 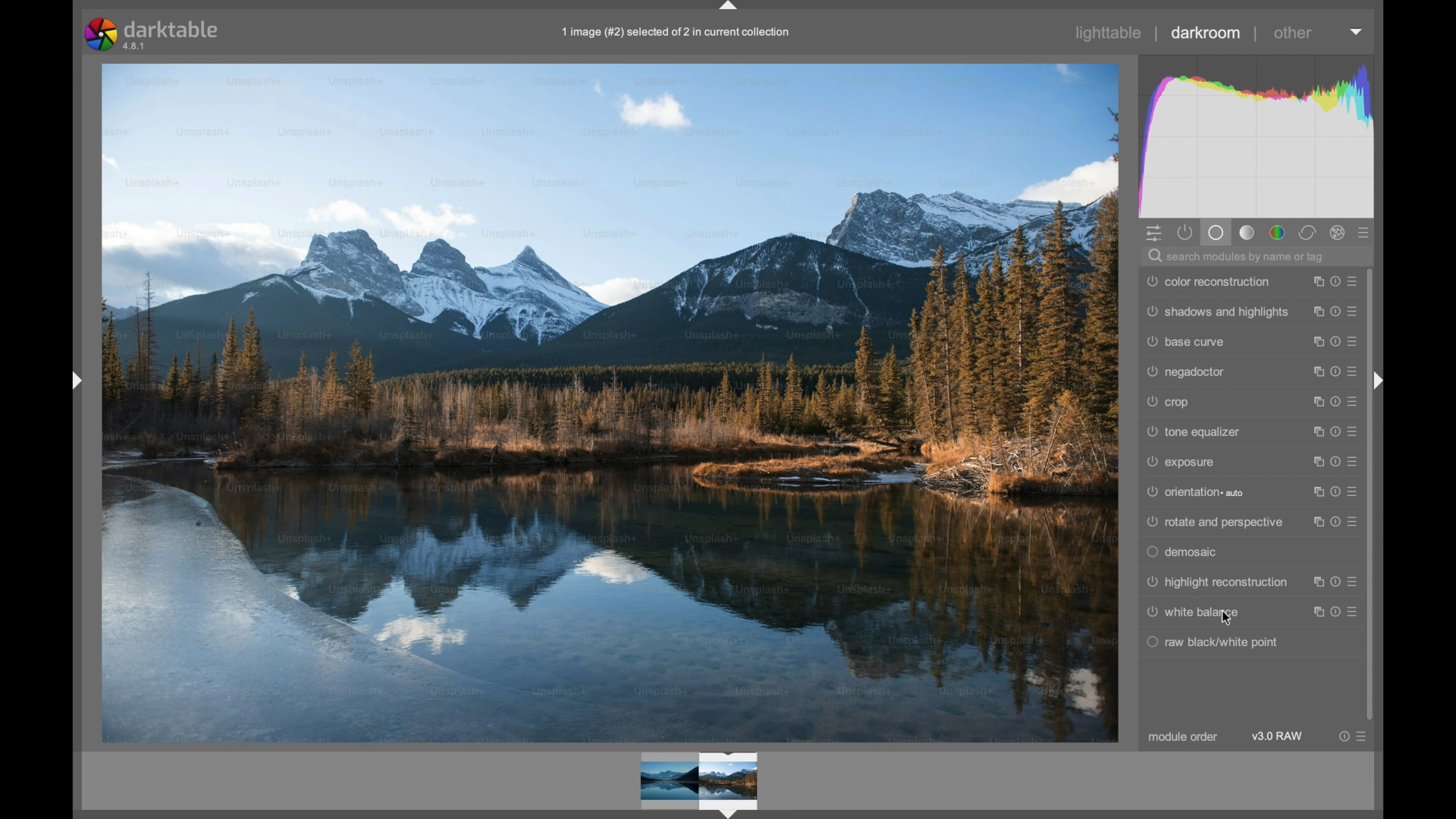 I want to click on raw black/white point, so click(x=1214, y=643).